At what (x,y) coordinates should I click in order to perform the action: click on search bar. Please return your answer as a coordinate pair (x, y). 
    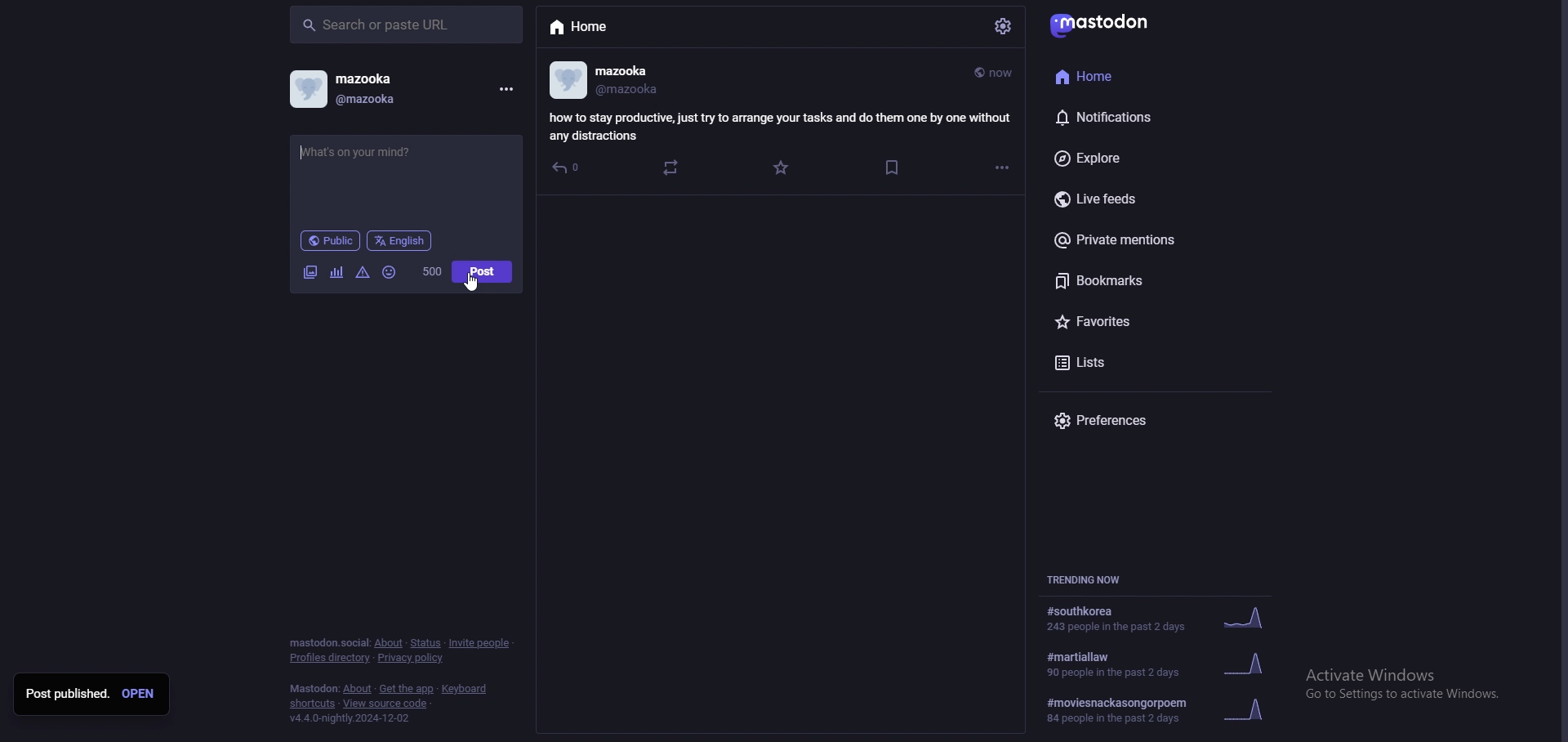
    Looking at the image, I should click on (407, 26).